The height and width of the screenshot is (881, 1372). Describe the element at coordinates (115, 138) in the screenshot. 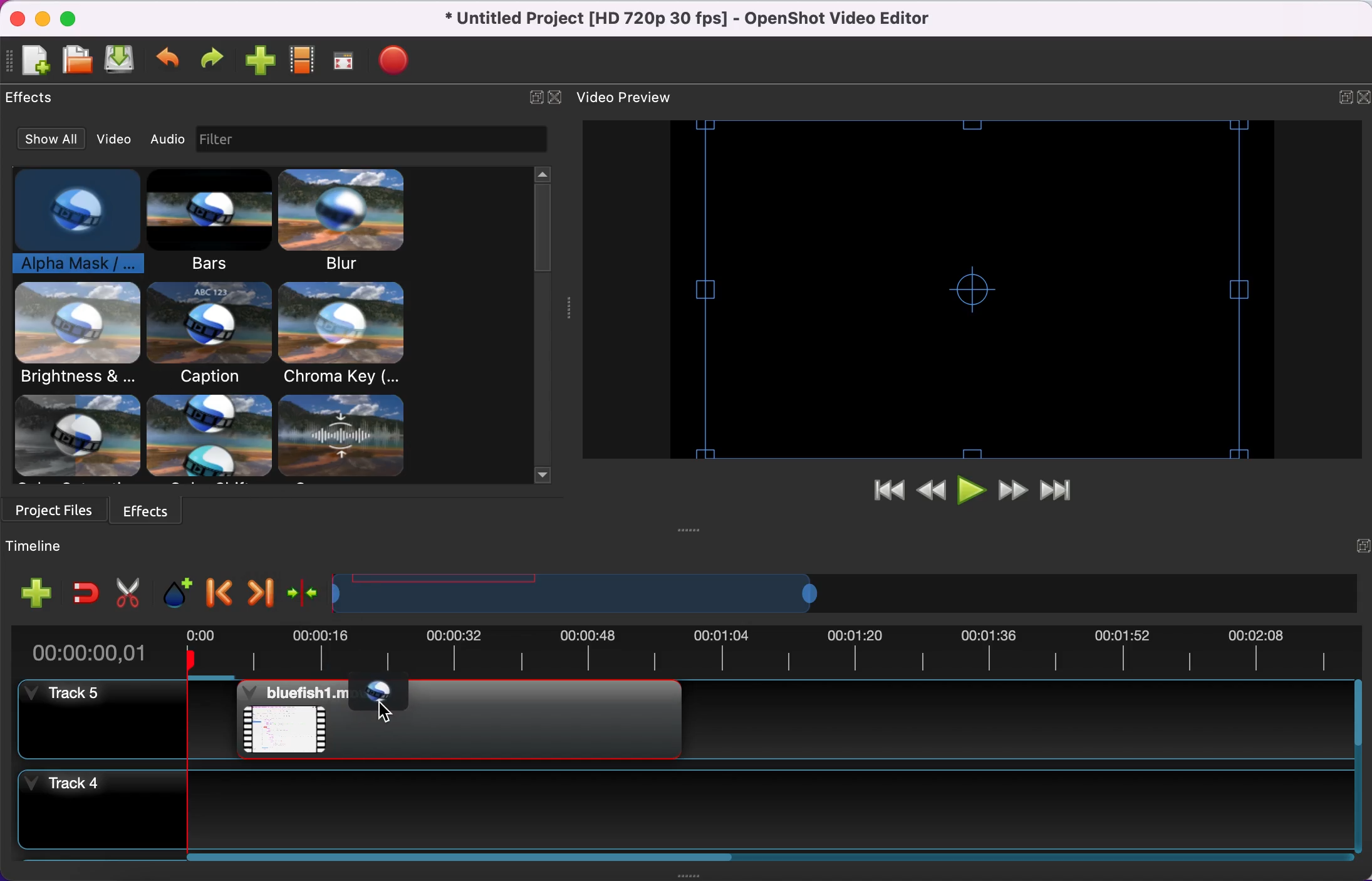

I see `video` at that location.